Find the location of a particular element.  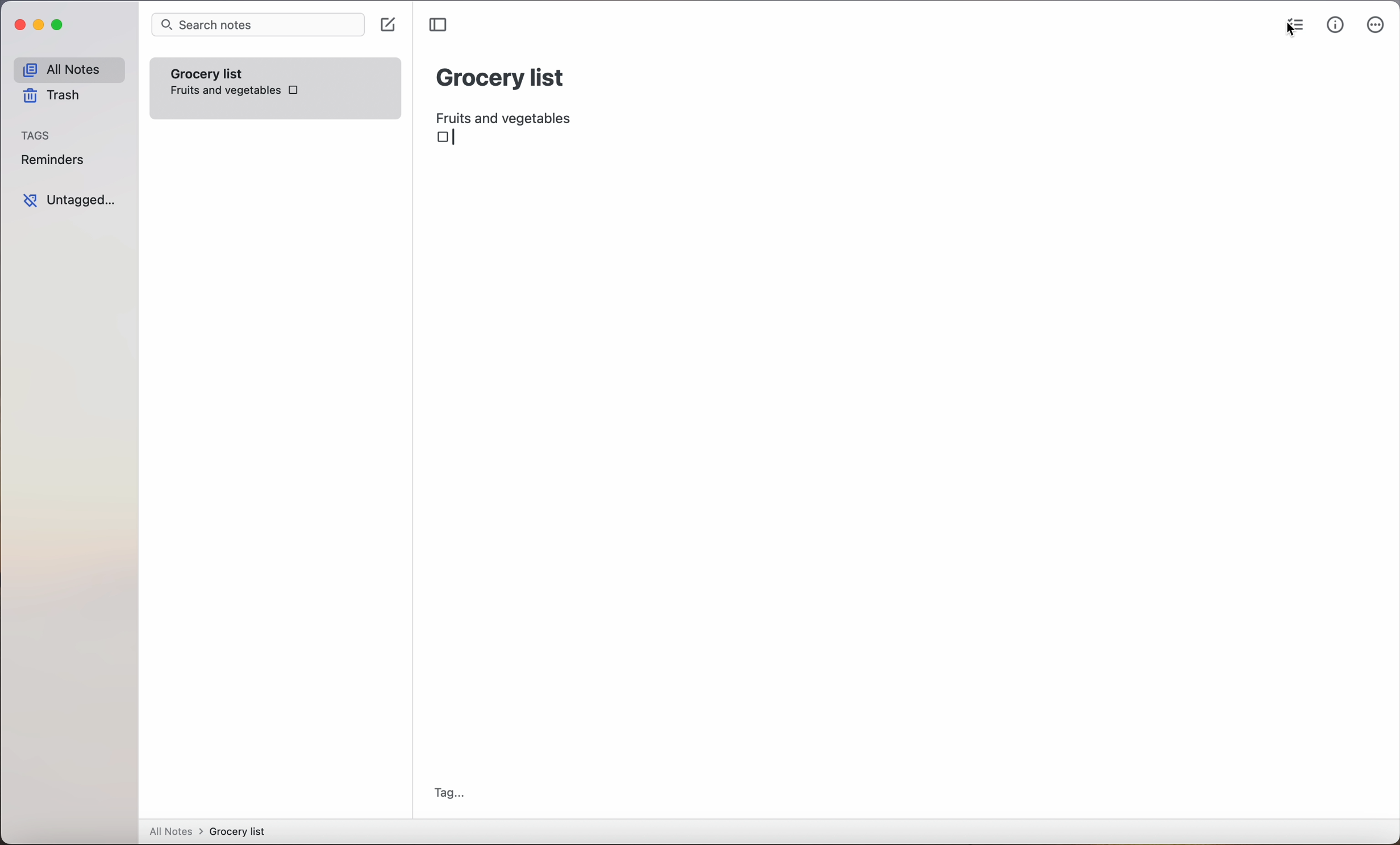

tags is located at coordinates (37, 136).